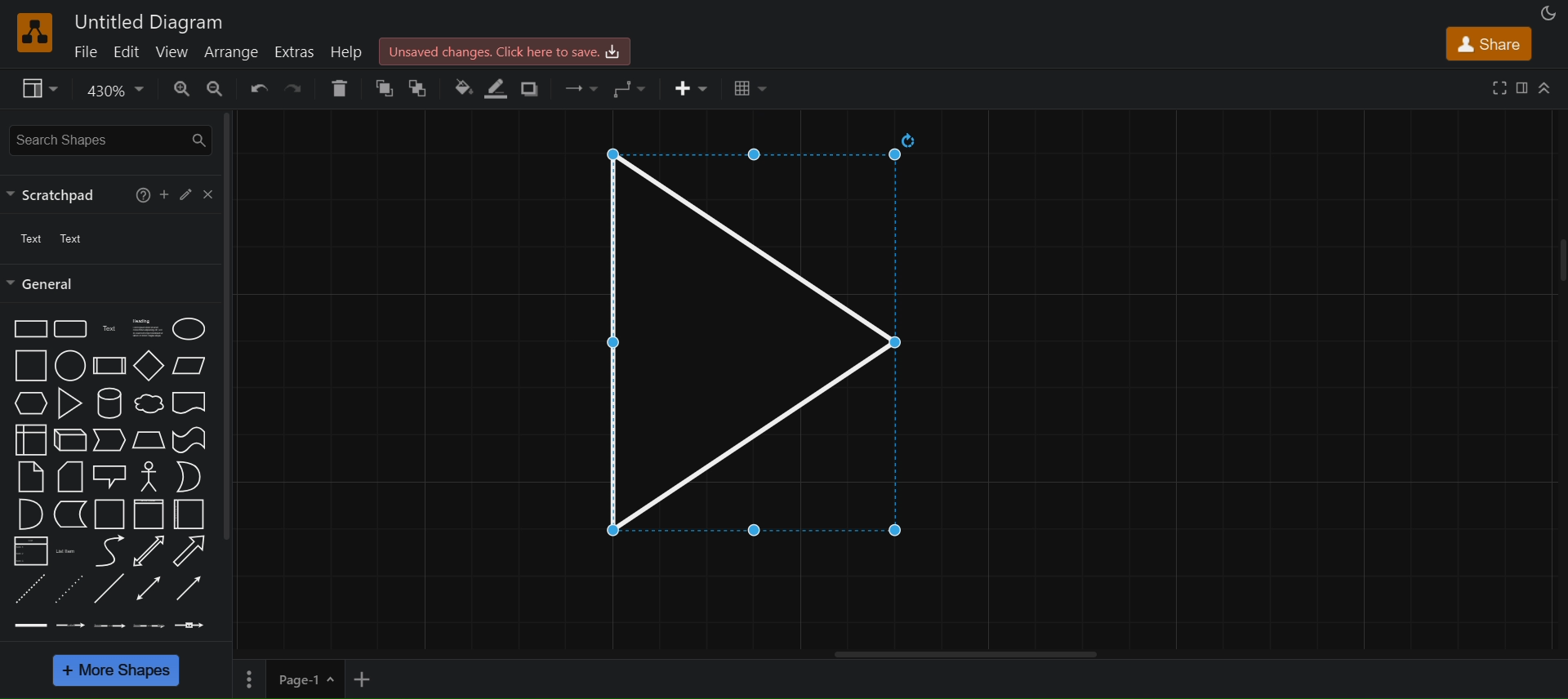  I want to click on connection, so click(581, 85).